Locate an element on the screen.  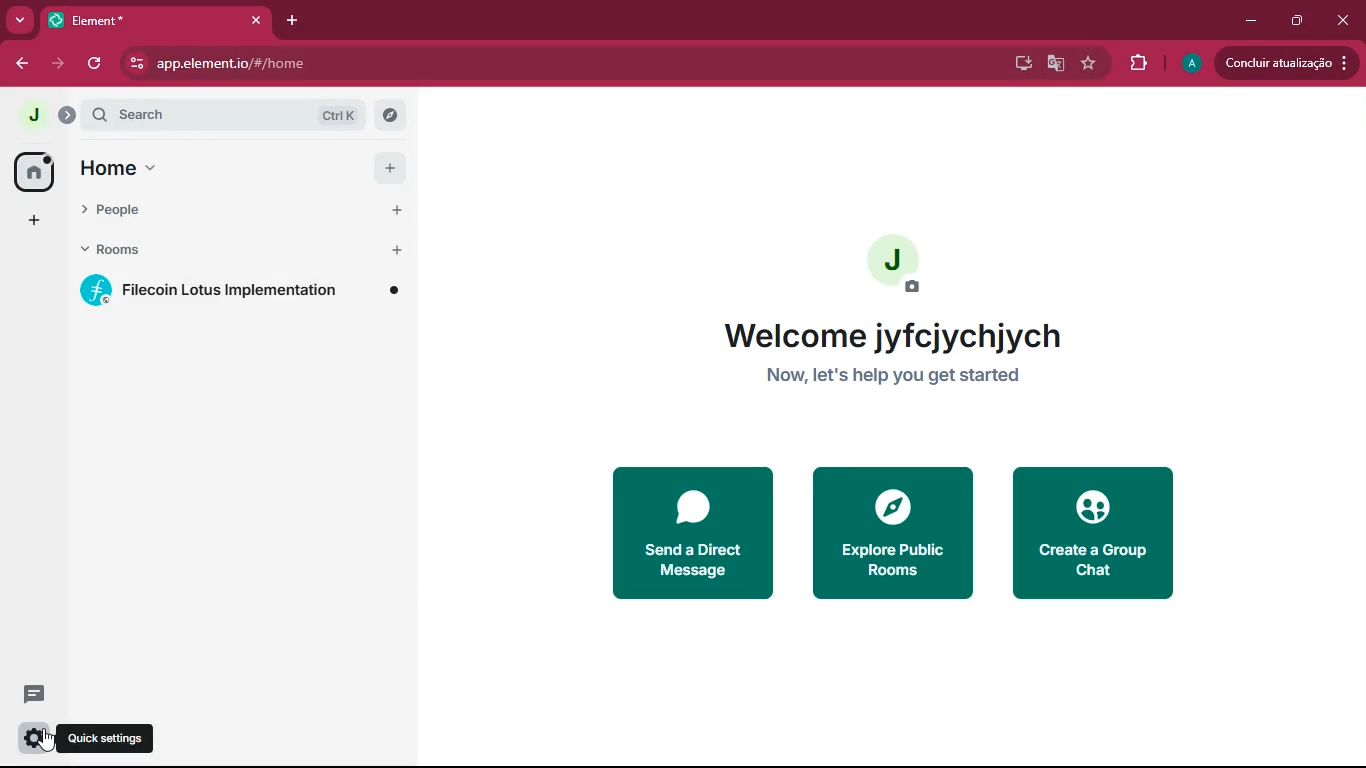
message is located at coordinates (32, 697).